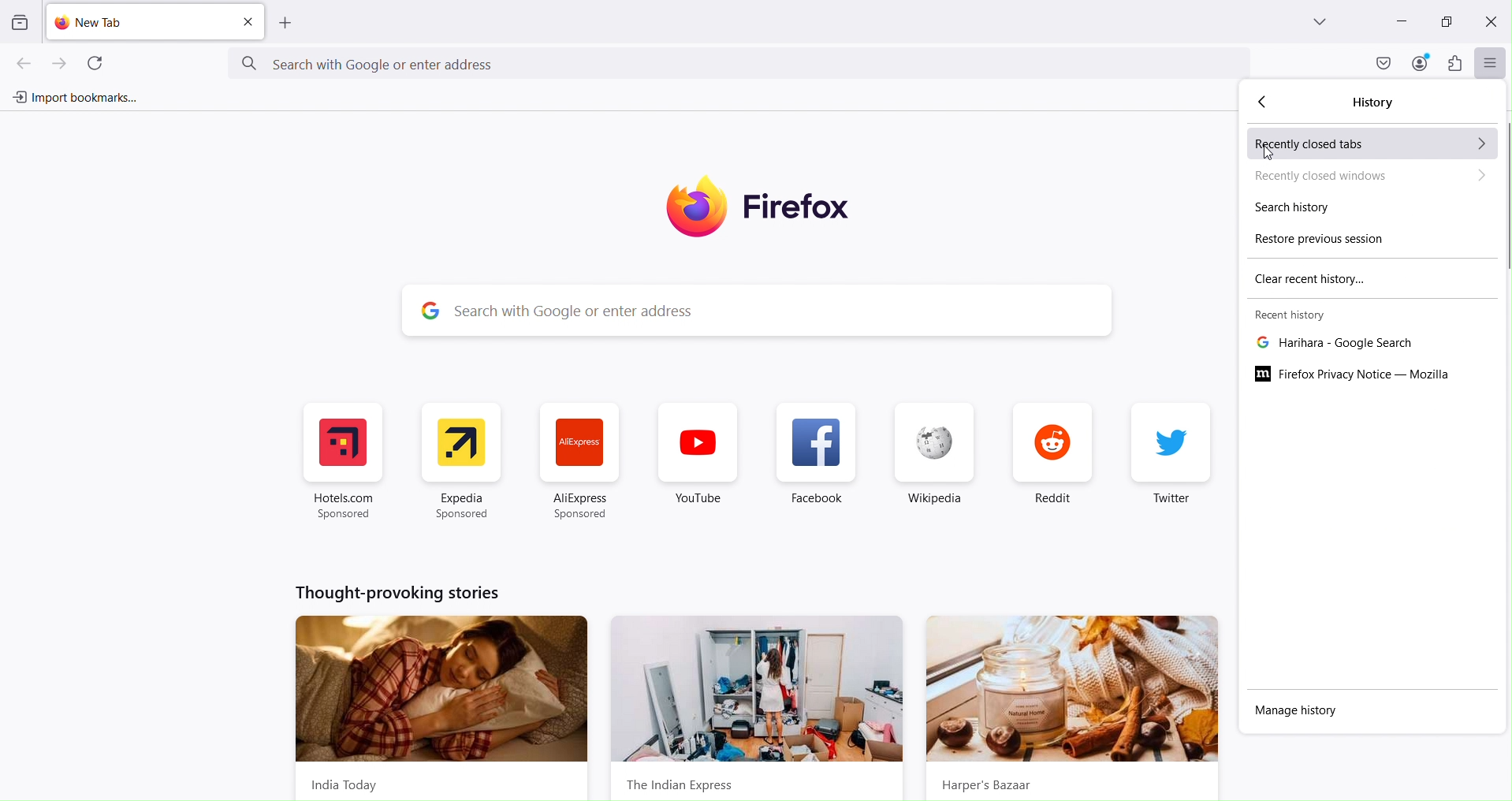 The height and width of the screenshot is (801, 1512). I want to click on Hotel.com Shortcut, so click(346, 462).